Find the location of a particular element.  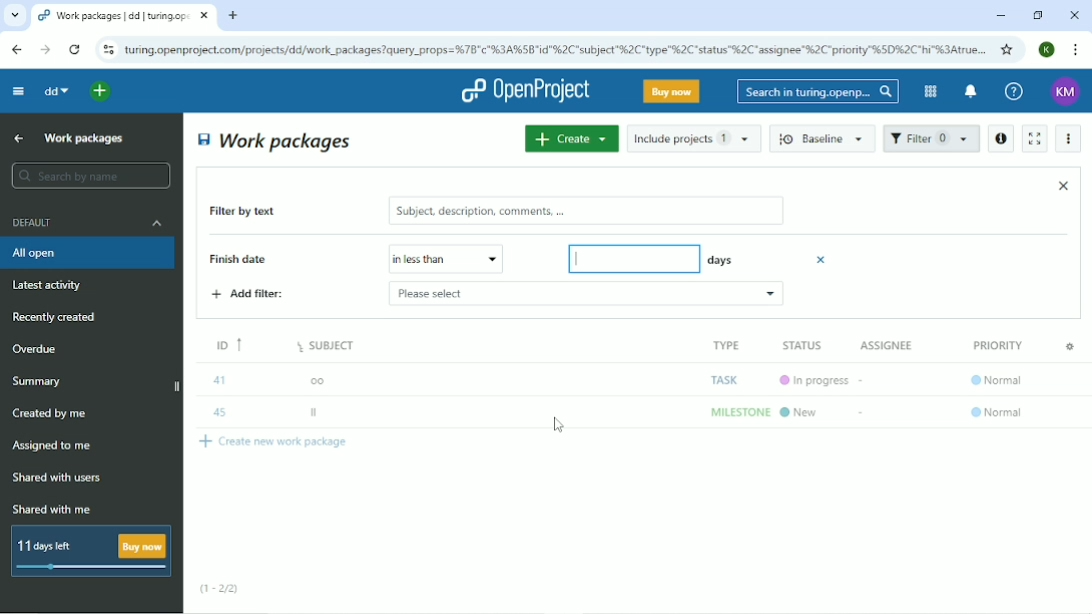

drop down menu is located at coordinates (493, 259).